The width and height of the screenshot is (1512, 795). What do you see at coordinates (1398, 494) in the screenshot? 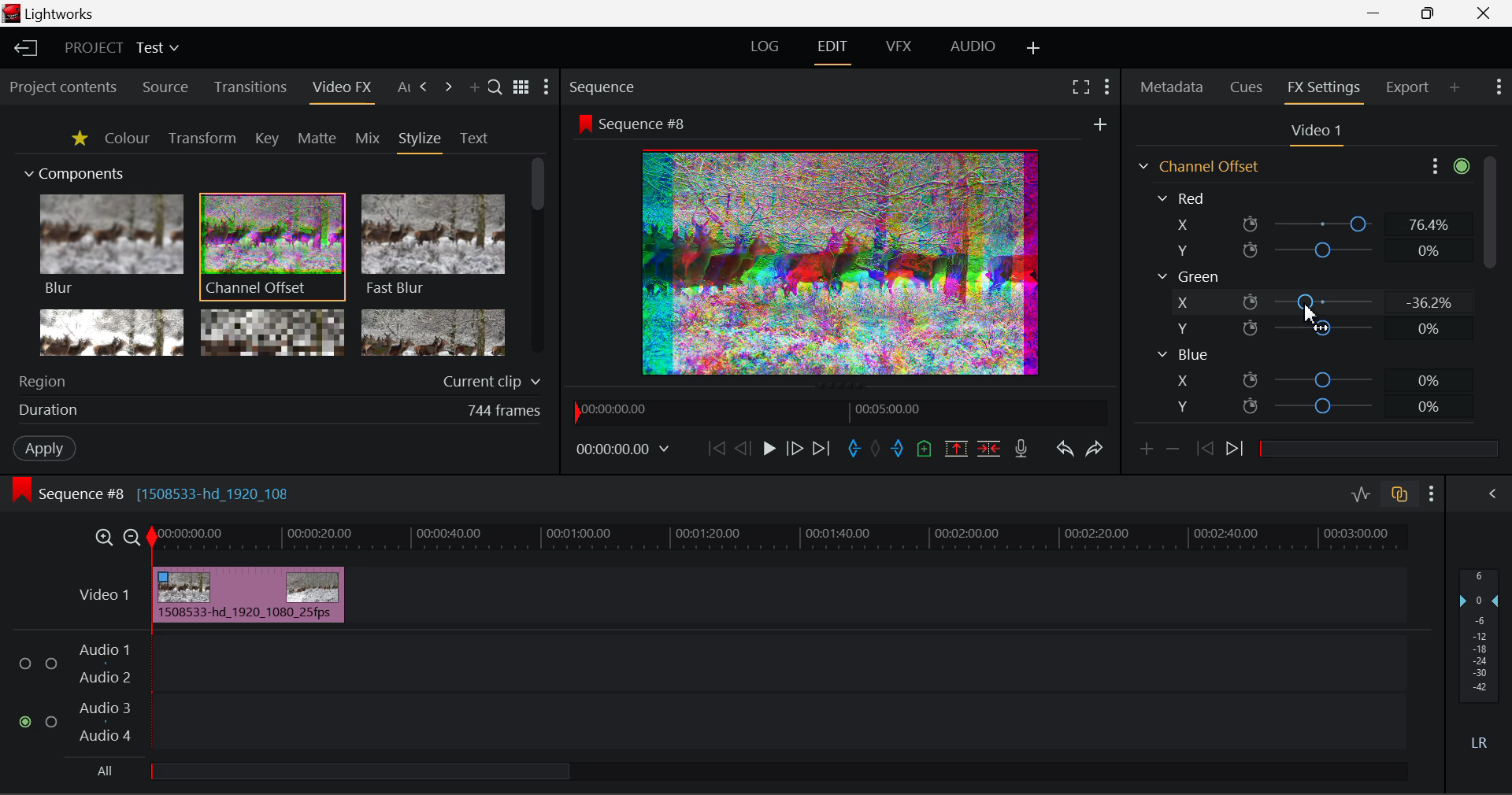
I see `Toggle auto track sync` at bounding box center [1398, 494].